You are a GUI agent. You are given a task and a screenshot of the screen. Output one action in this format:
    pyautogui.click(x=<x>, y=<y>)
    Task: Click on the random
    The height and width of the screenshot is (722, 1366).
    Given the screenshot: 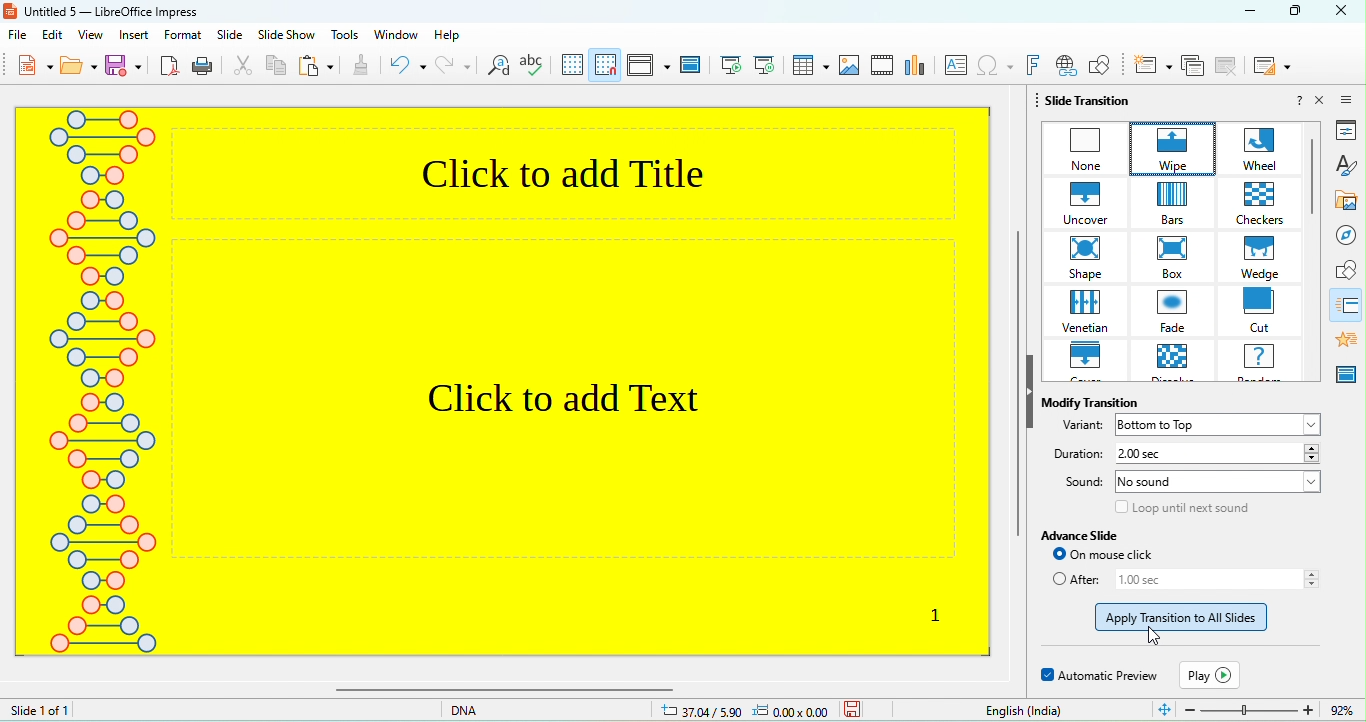 What is the action you would take?
    pyautogui.click(x=1265, y=363)
    